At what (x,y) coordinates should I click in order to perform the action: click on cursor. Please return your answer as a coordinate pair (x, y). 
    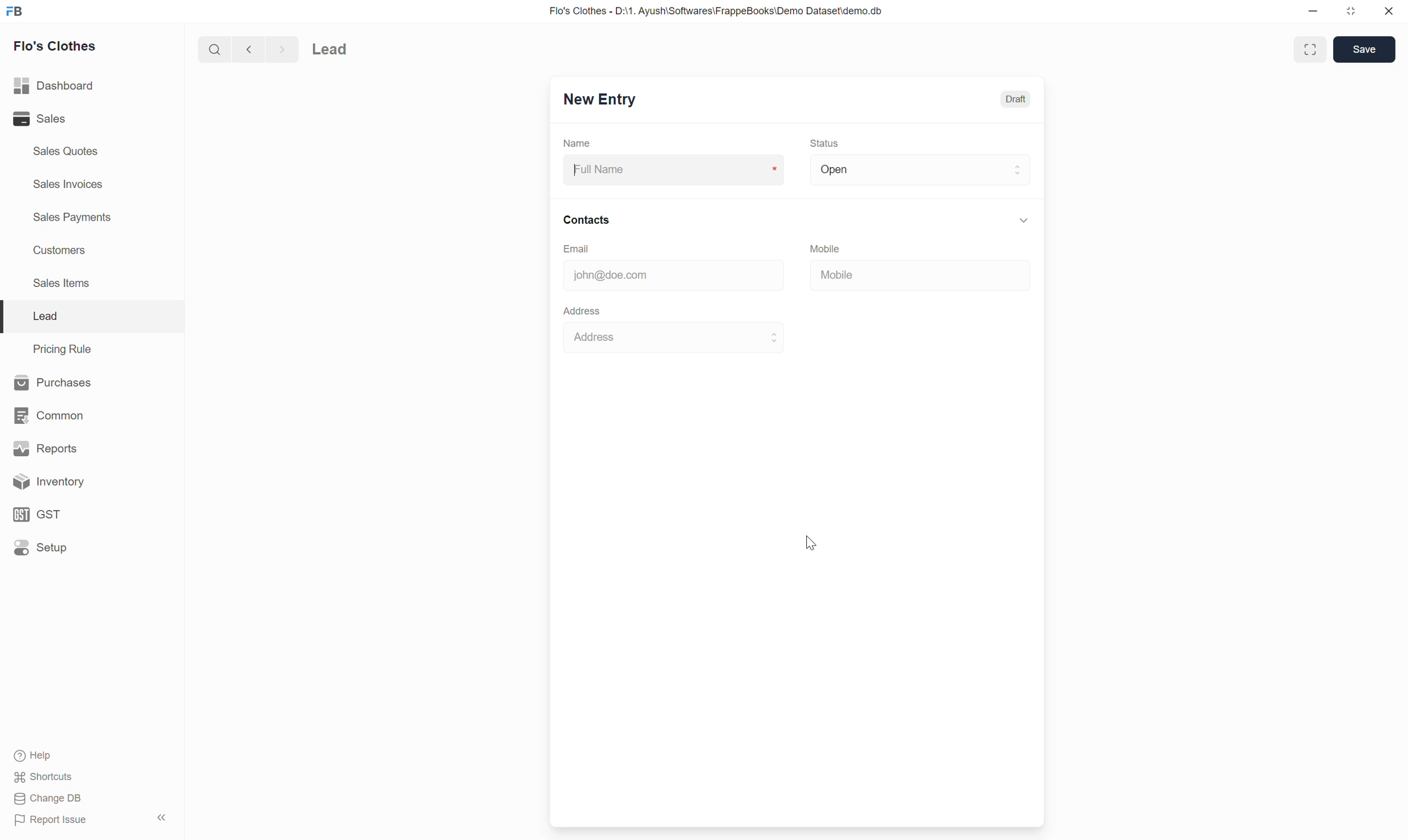
    Looking at the image, I should click on (576, 170).